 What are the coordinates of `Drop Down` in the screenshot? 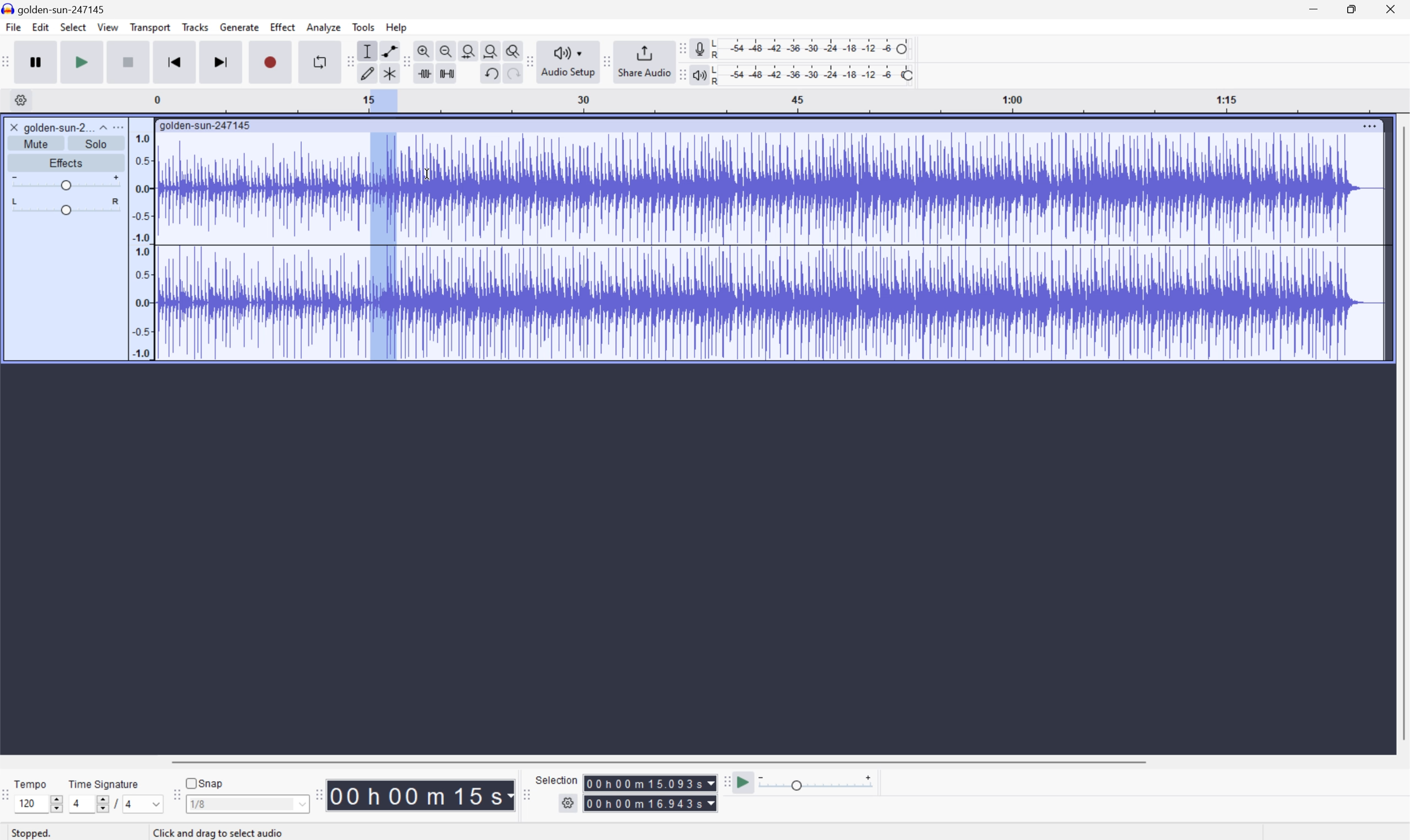 It's located at (301, 806).